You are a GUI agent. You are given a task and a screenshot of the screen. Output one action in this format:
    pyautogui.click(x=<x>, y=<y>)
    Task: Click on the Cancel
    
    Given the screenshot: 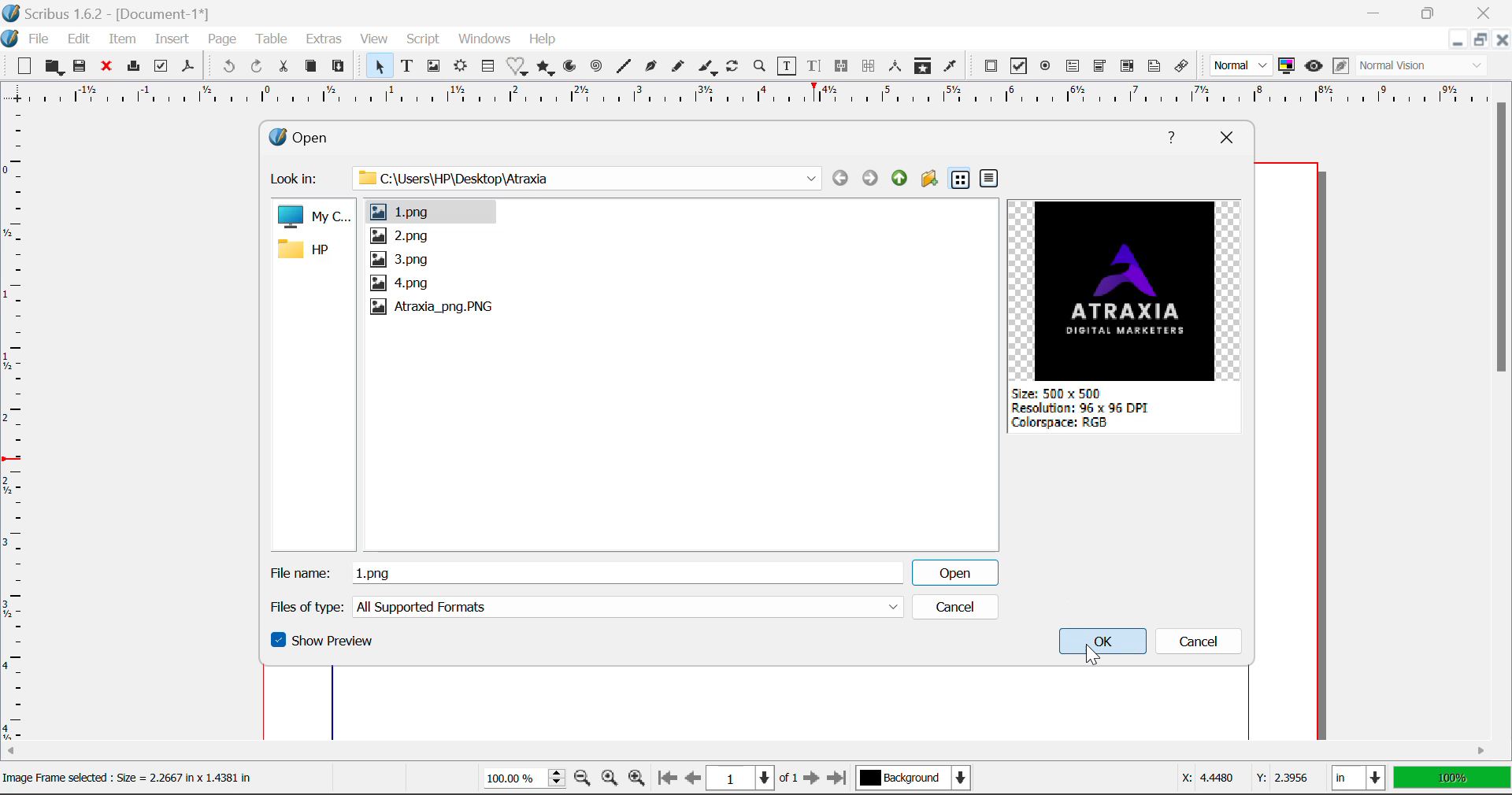 What is the action you would take?
    pyautogui.click(x=954, y=607)
    